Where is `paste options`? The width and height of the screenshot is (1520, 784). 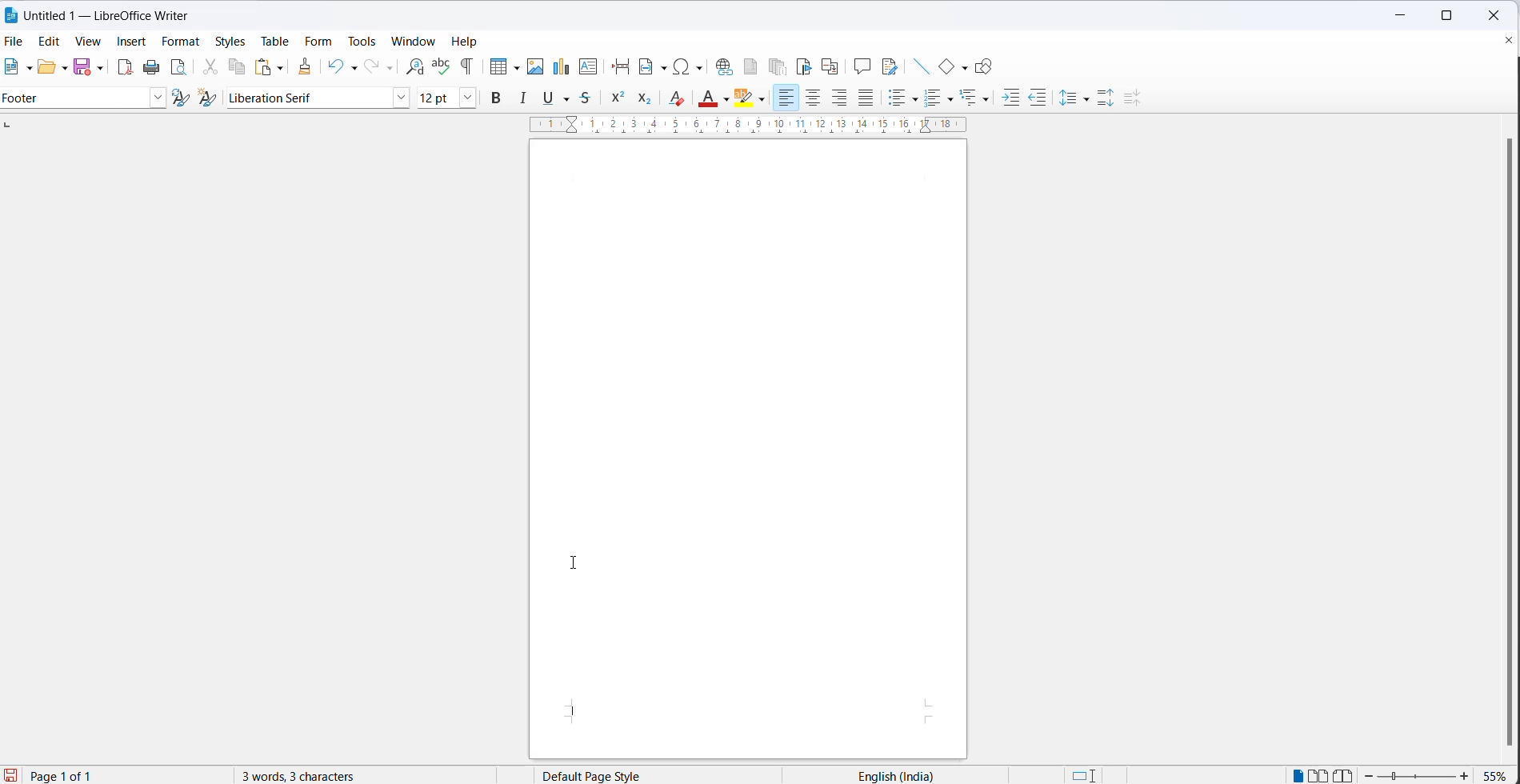 paste options is located at coordinates (262, 66).